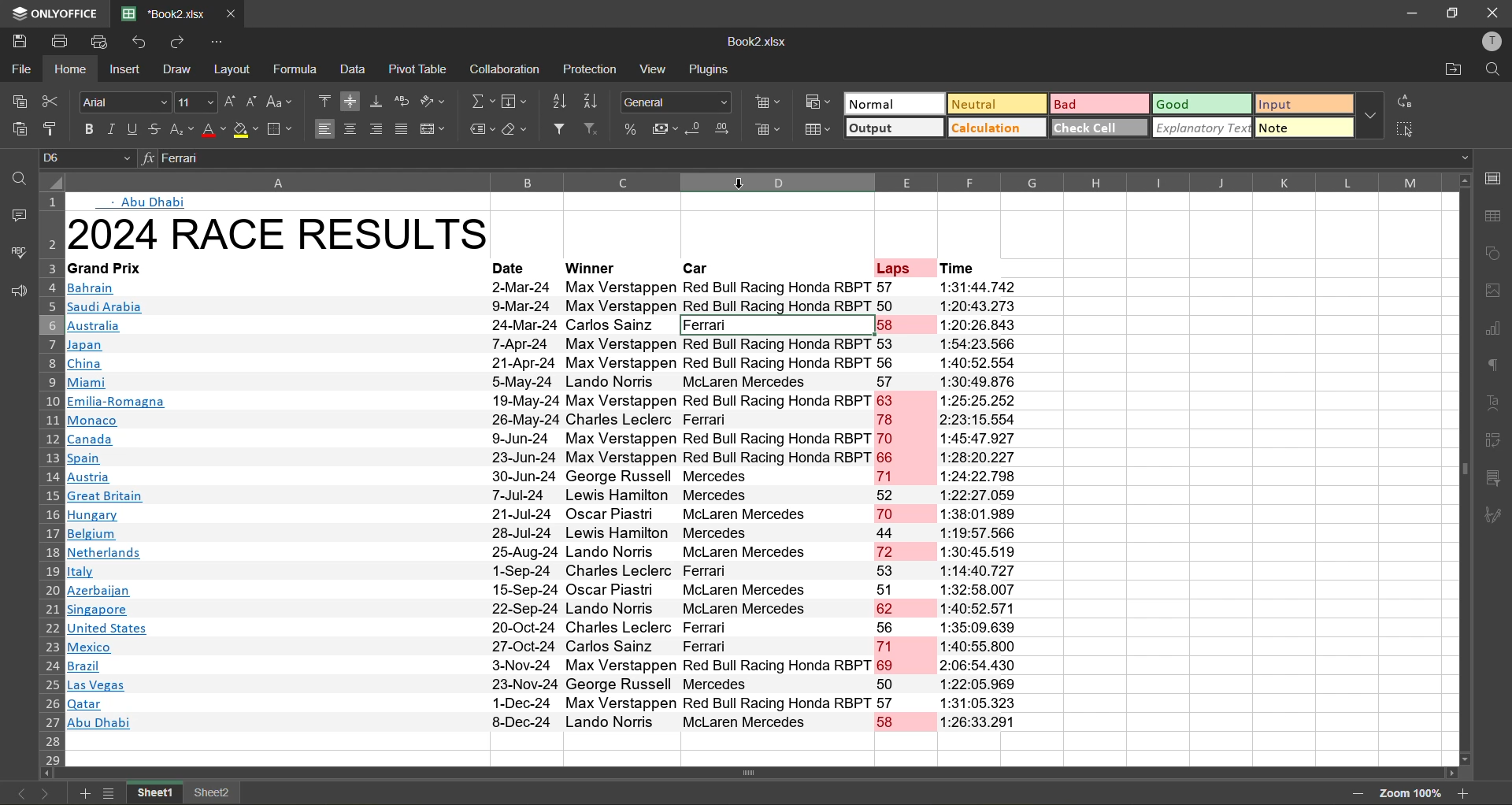 The width and height of the screenshot is (1512, 805). Describe the element at coordinates (1404, 128) in the screenshot. I see `select all` at that location.